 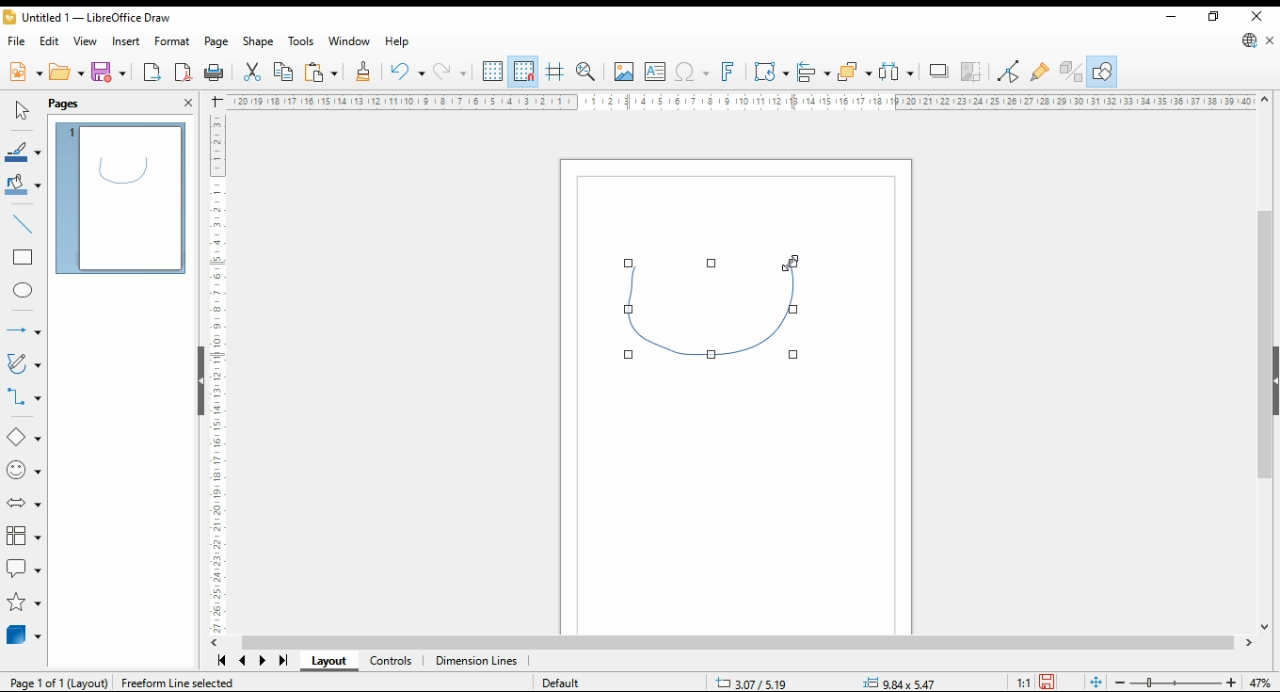 I want to click on toggle extrusions, so click(x=1070, y=72).